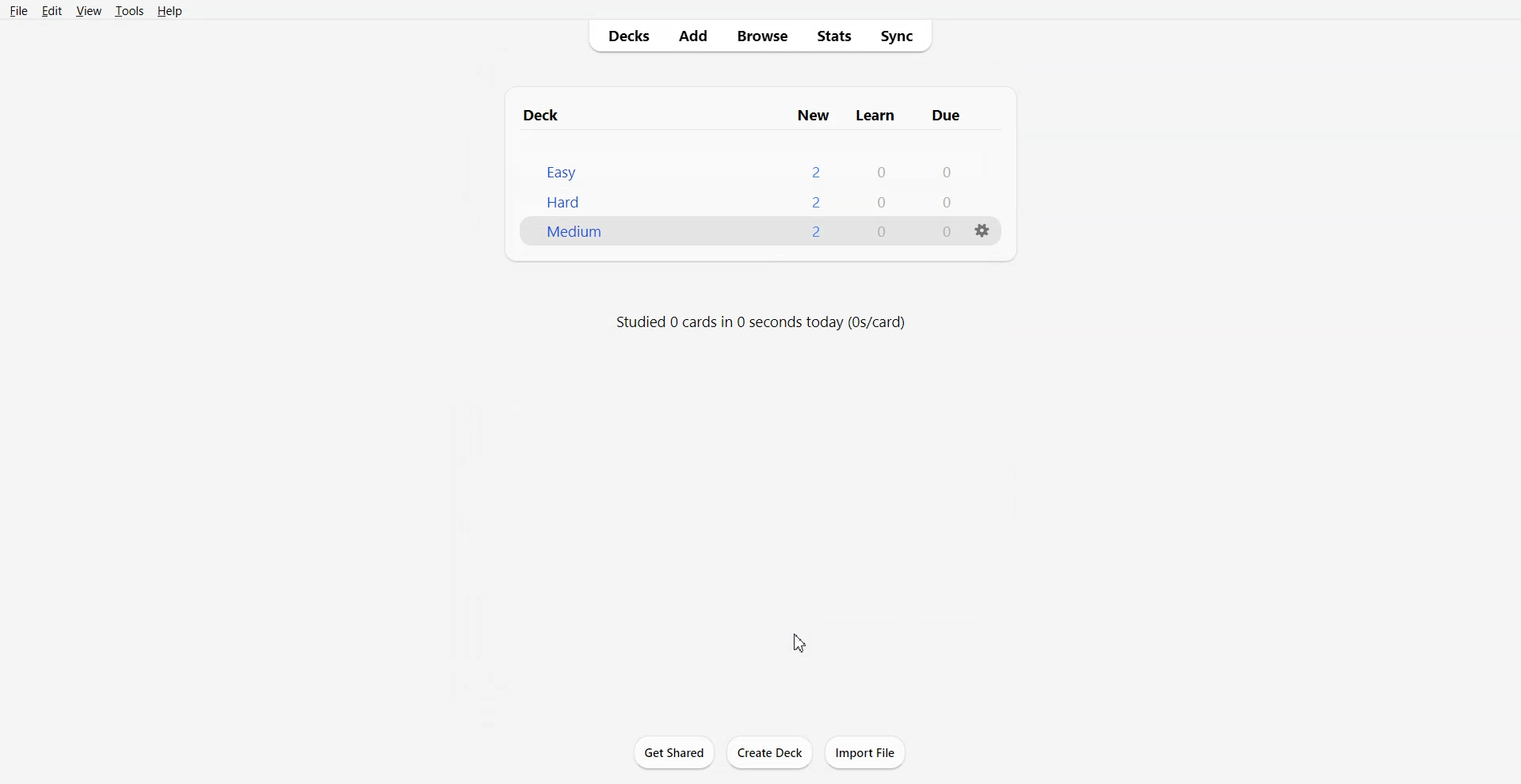 The width and height of the screenshot is (1521, 784). I want to click on Cursor, so click(799, 642).